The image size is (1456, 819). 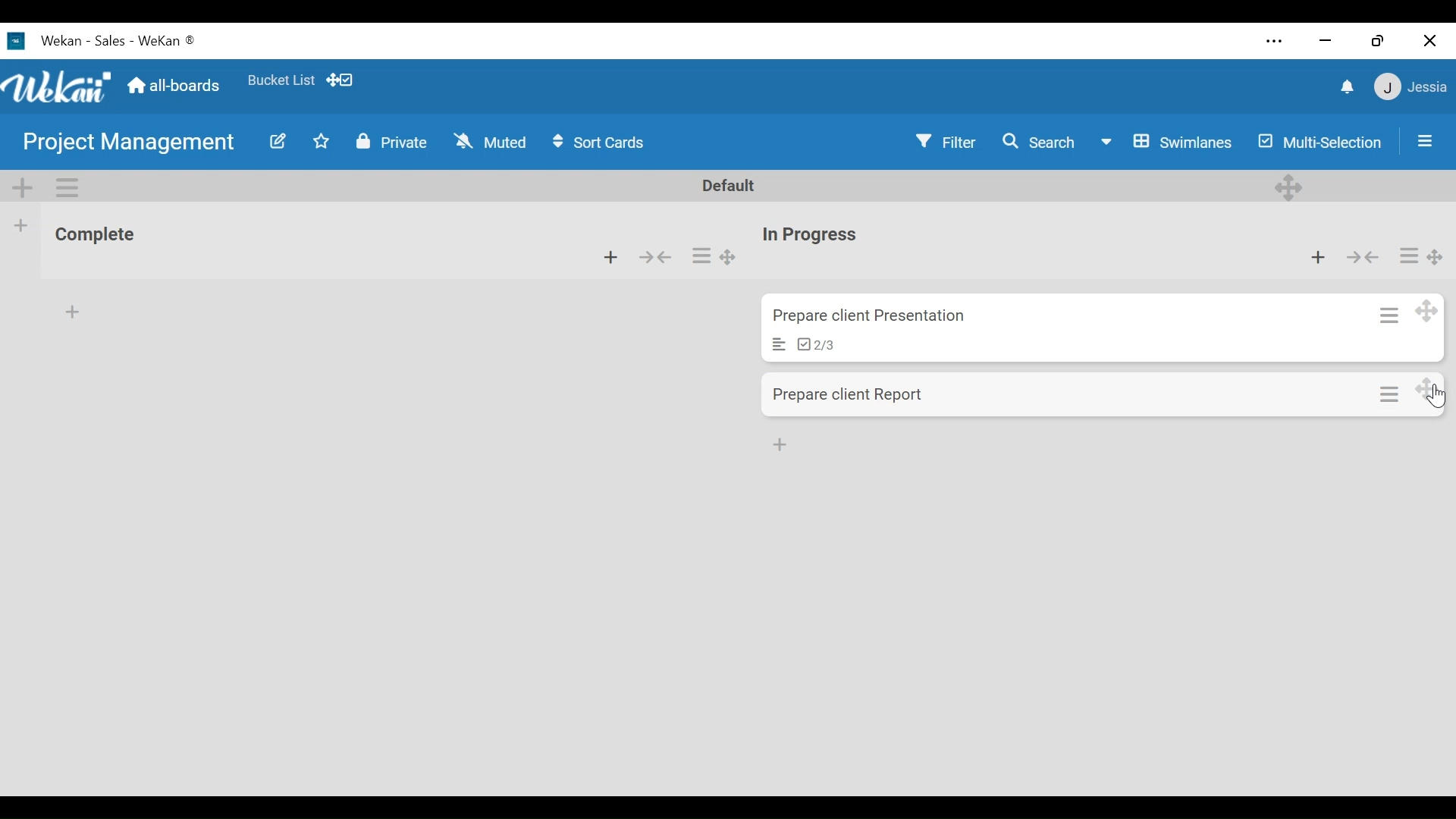 What do you see at coordinates (602, 143) in the screenshot?
I see `Sort cards` at bounding box center [602, 143].